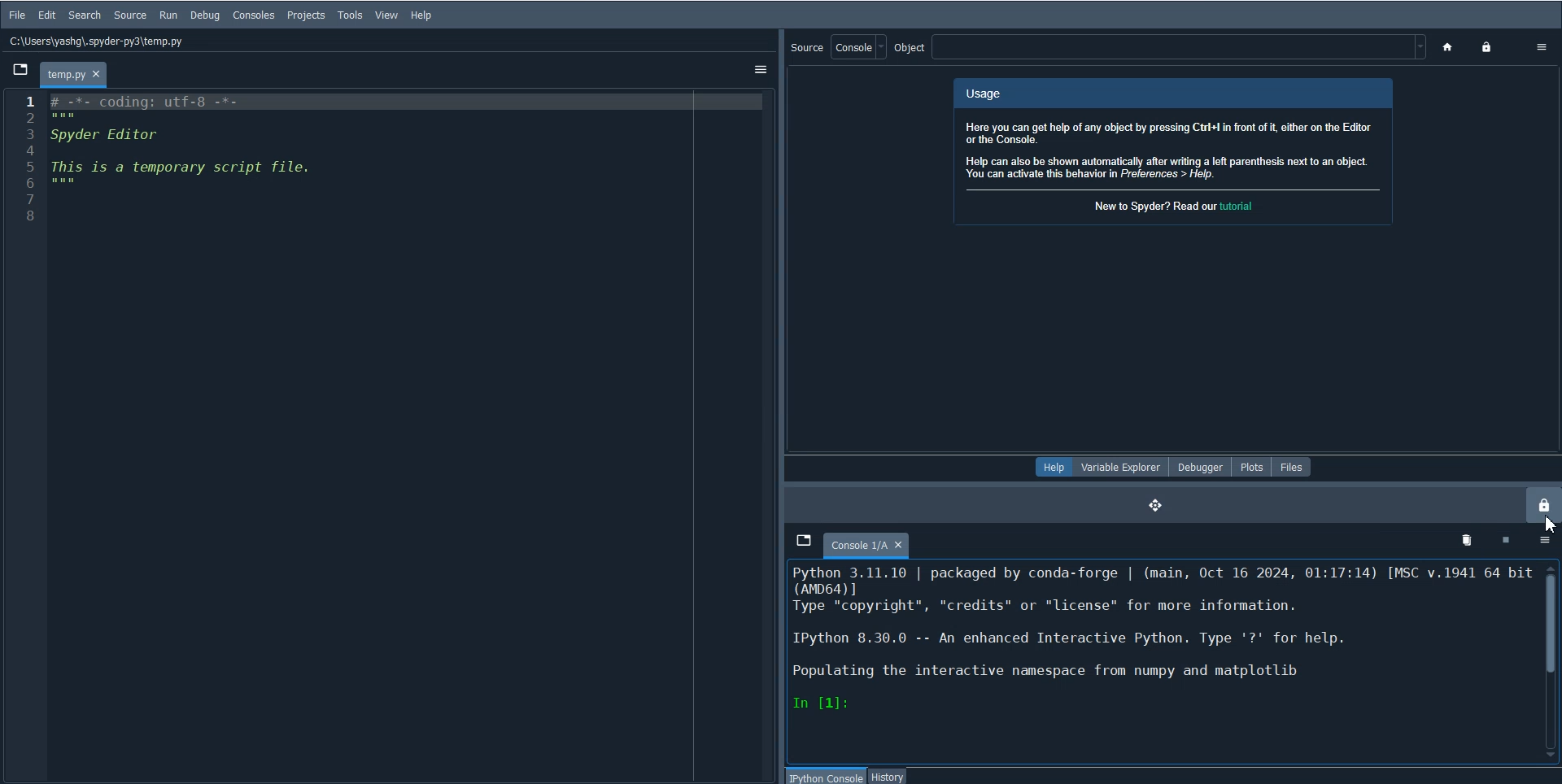  I want to click on Source, so click(840, 47).